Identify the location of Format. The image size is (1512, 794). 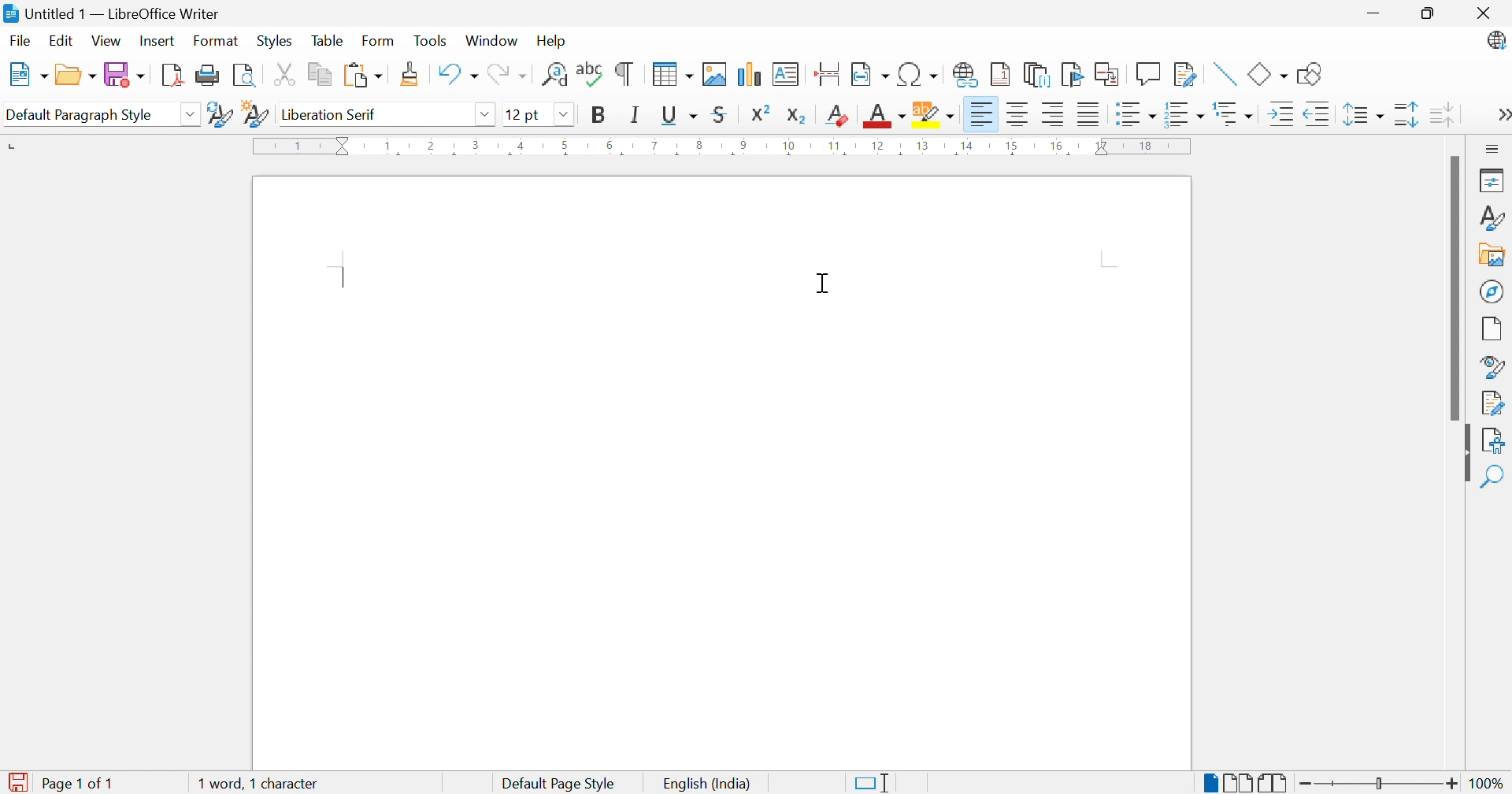
(215, 40).